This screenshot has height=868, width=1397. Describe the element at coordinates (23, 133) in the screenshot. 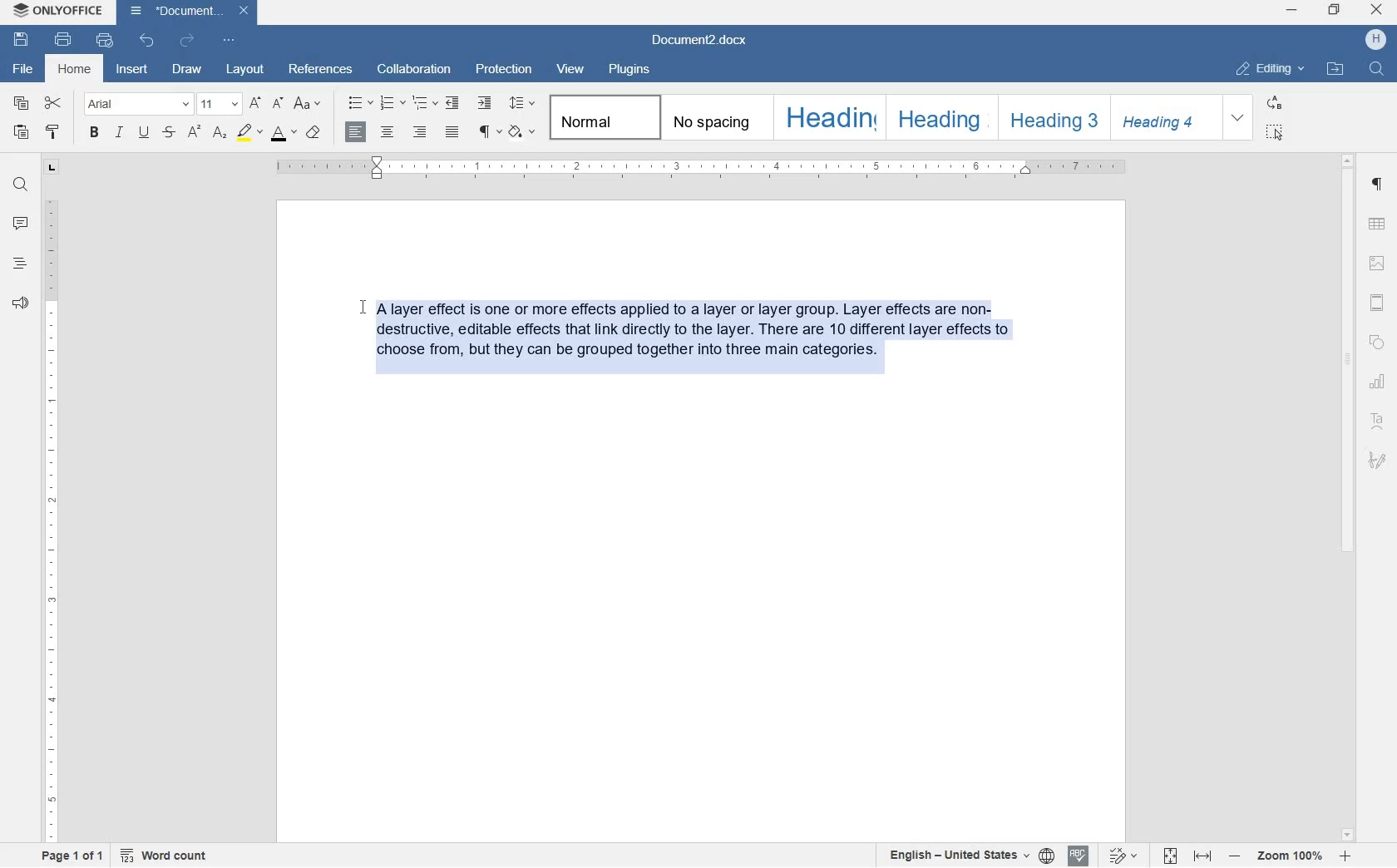

I see `paste` at that location.